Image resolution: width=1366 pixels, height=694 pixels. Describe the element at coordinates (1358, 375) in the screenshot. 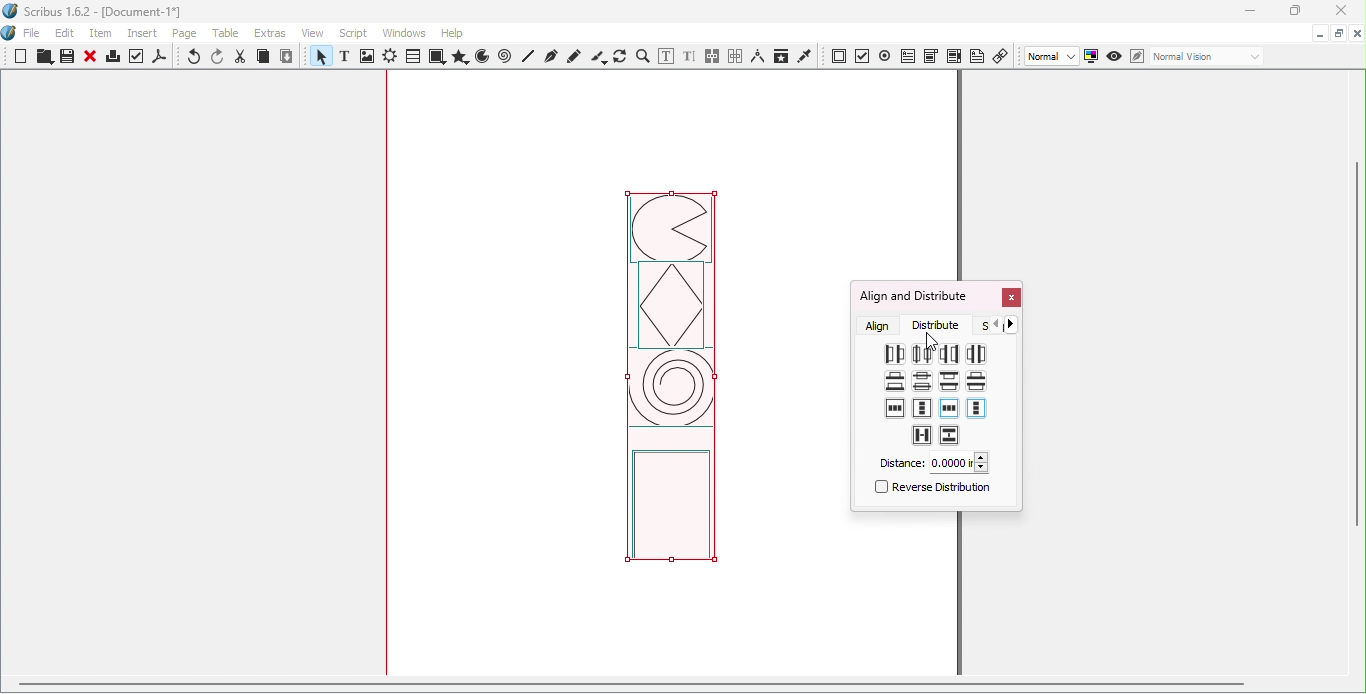

I see `Vertical scroll bar` at that location.